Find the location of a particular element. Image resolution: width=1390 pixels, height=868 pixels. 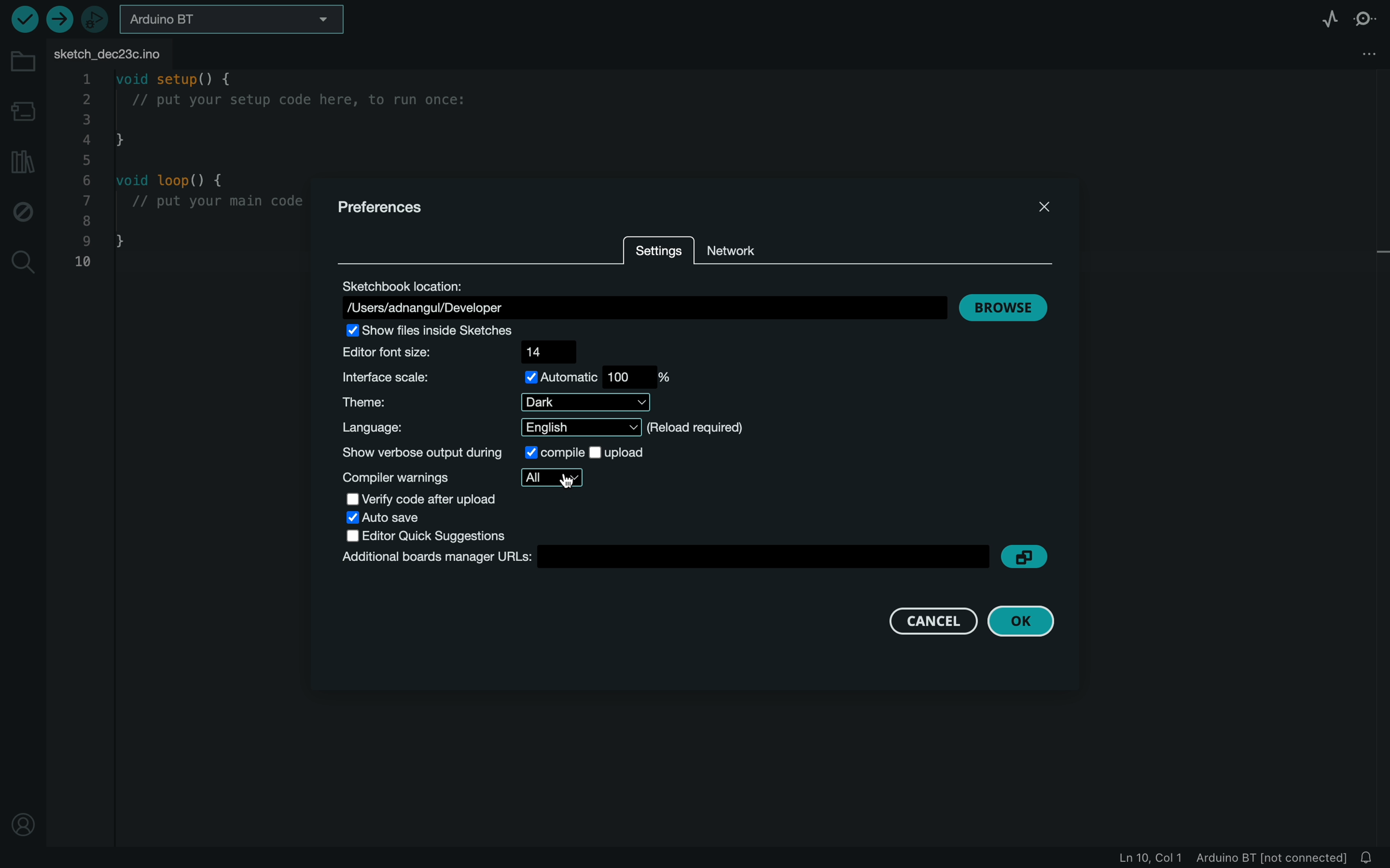

browse is located at coordinates (1007, 308).